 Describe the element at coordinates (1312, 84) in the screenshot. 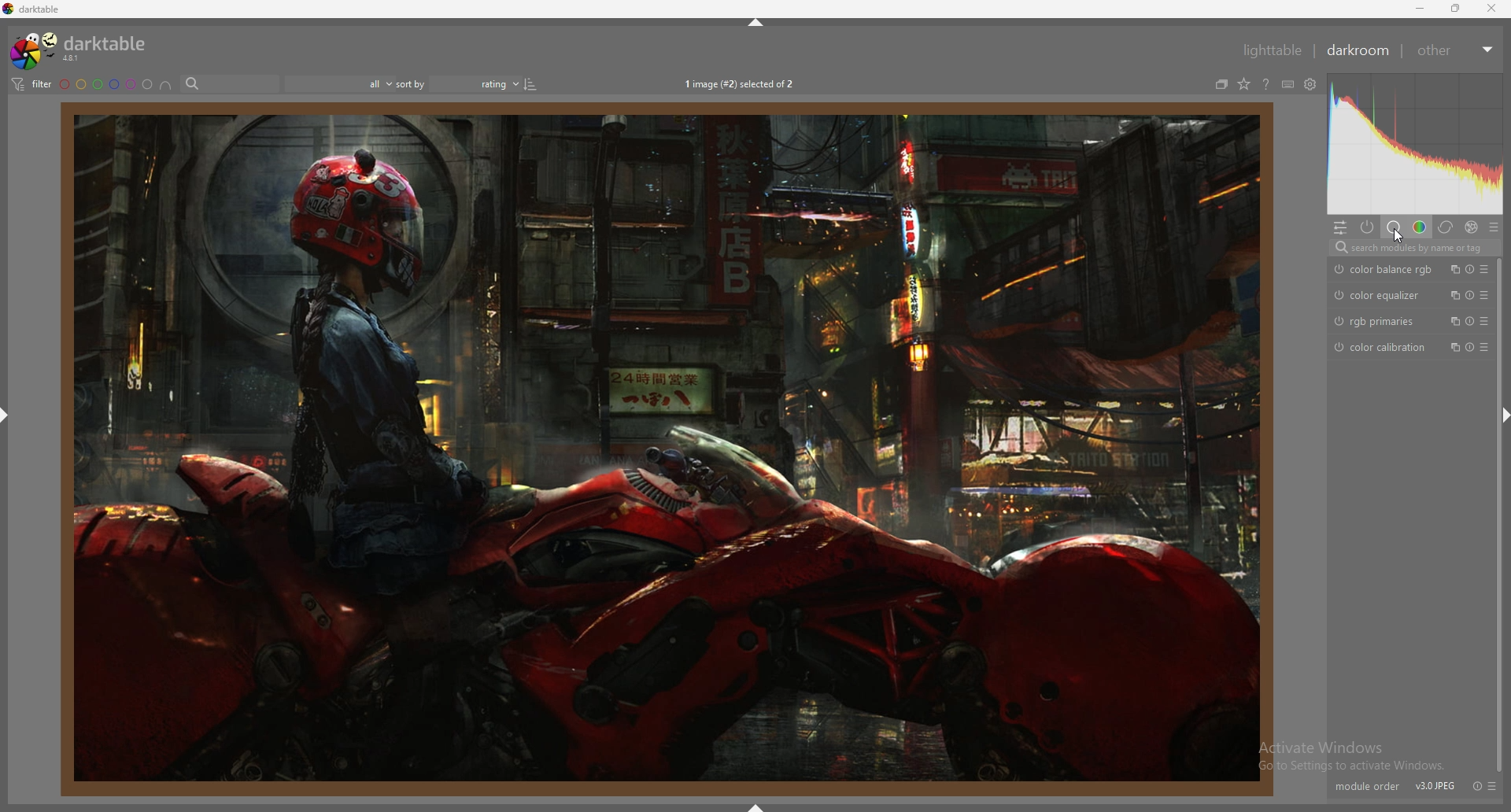

I see `see global preferences` at that location.